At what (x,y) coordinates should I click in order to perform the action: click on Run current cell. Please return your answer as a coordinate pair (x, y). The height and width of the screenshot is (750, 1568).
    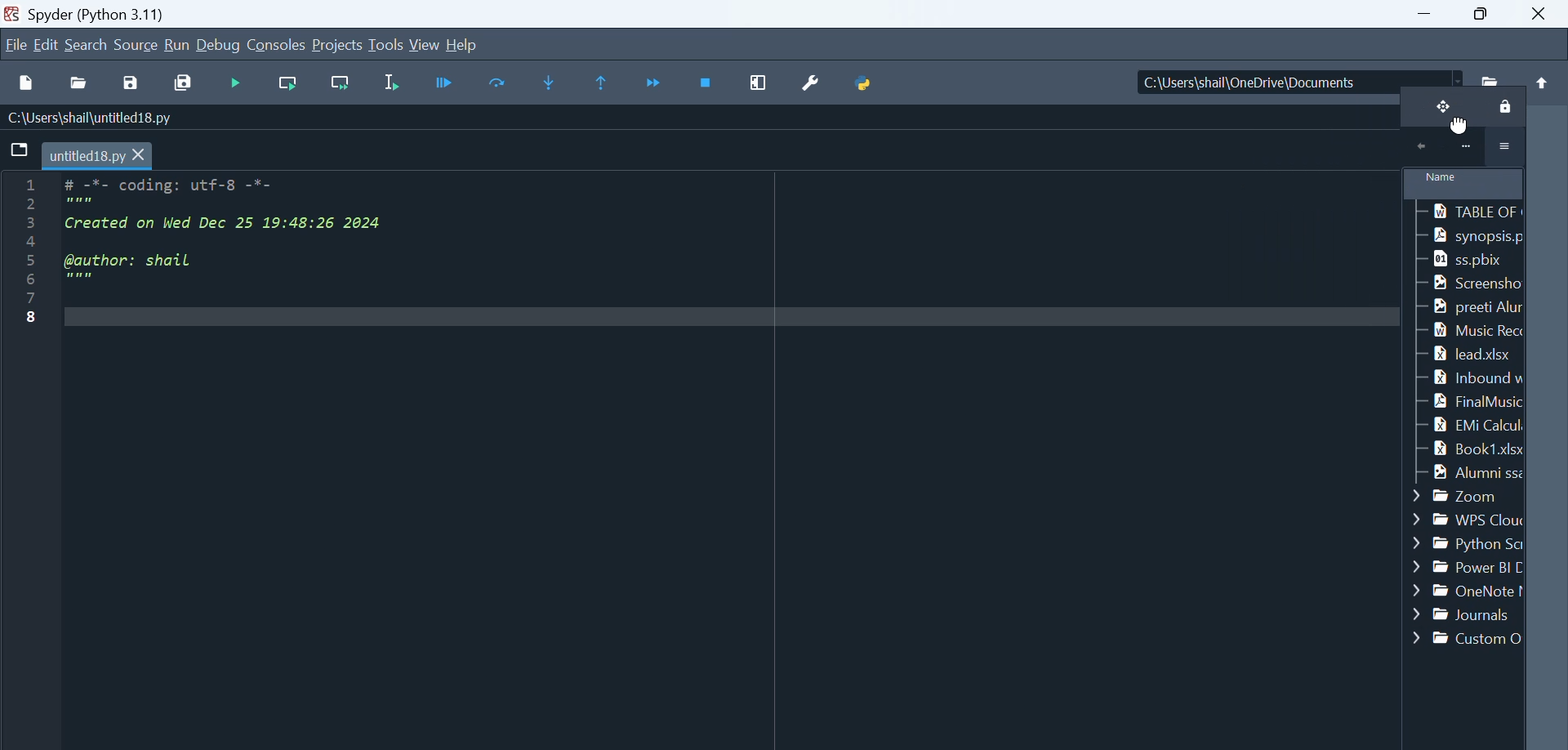
    Looking at the image, I should click on (285, 84).